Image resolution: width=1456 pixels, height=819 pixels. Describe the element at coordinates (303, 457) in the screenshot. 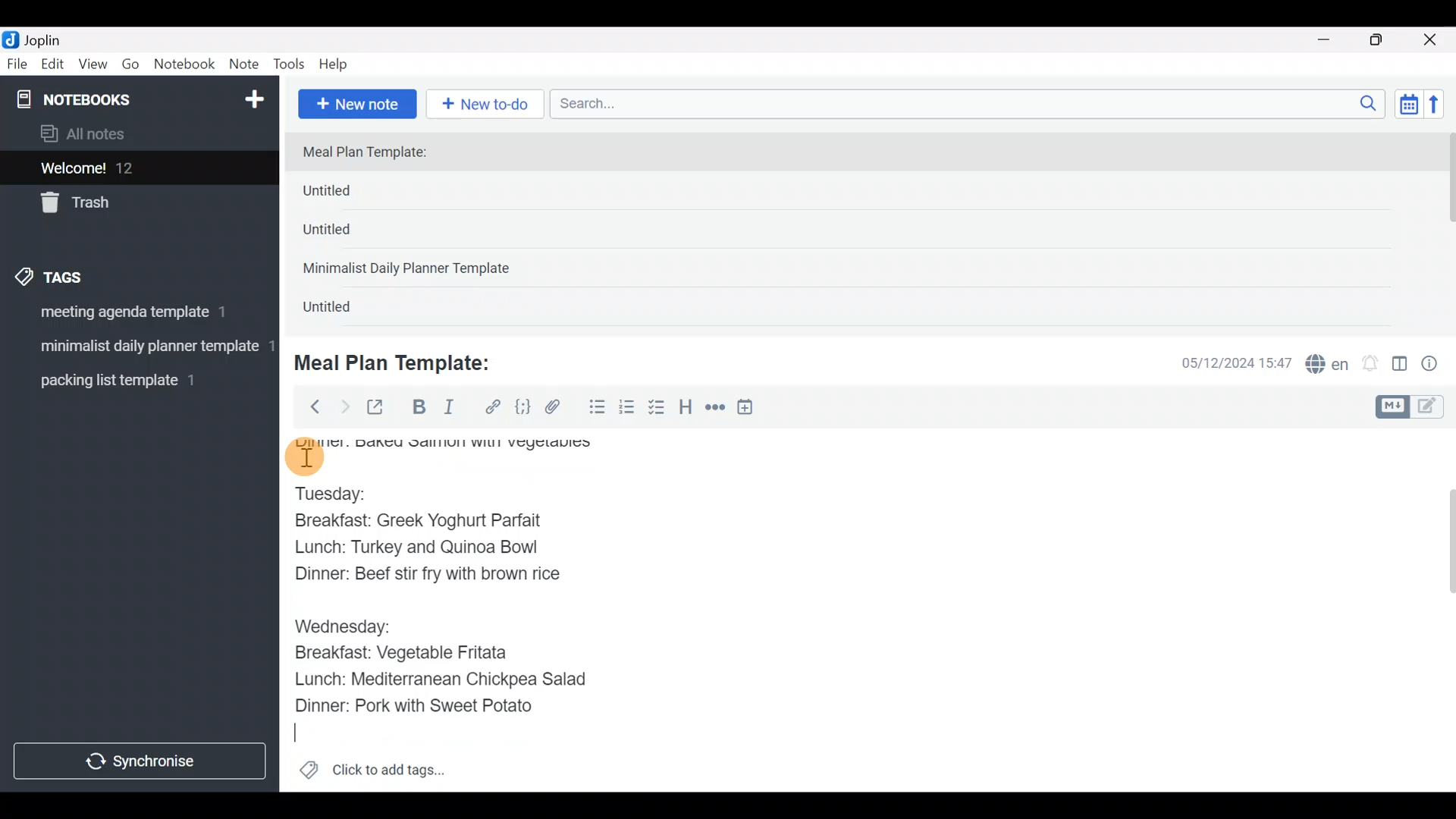

I see `cursor` at that location.